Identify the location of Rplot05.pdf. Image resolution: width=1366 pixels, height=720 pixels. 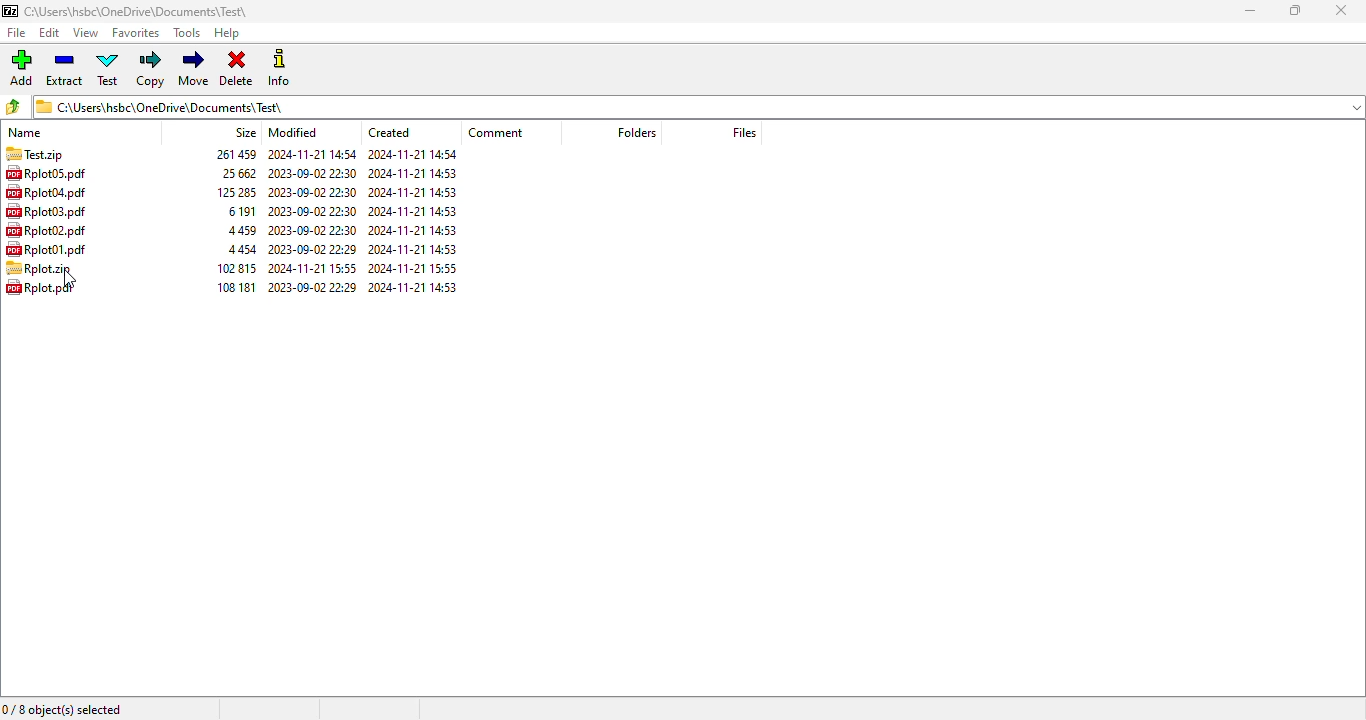
(56, 173).